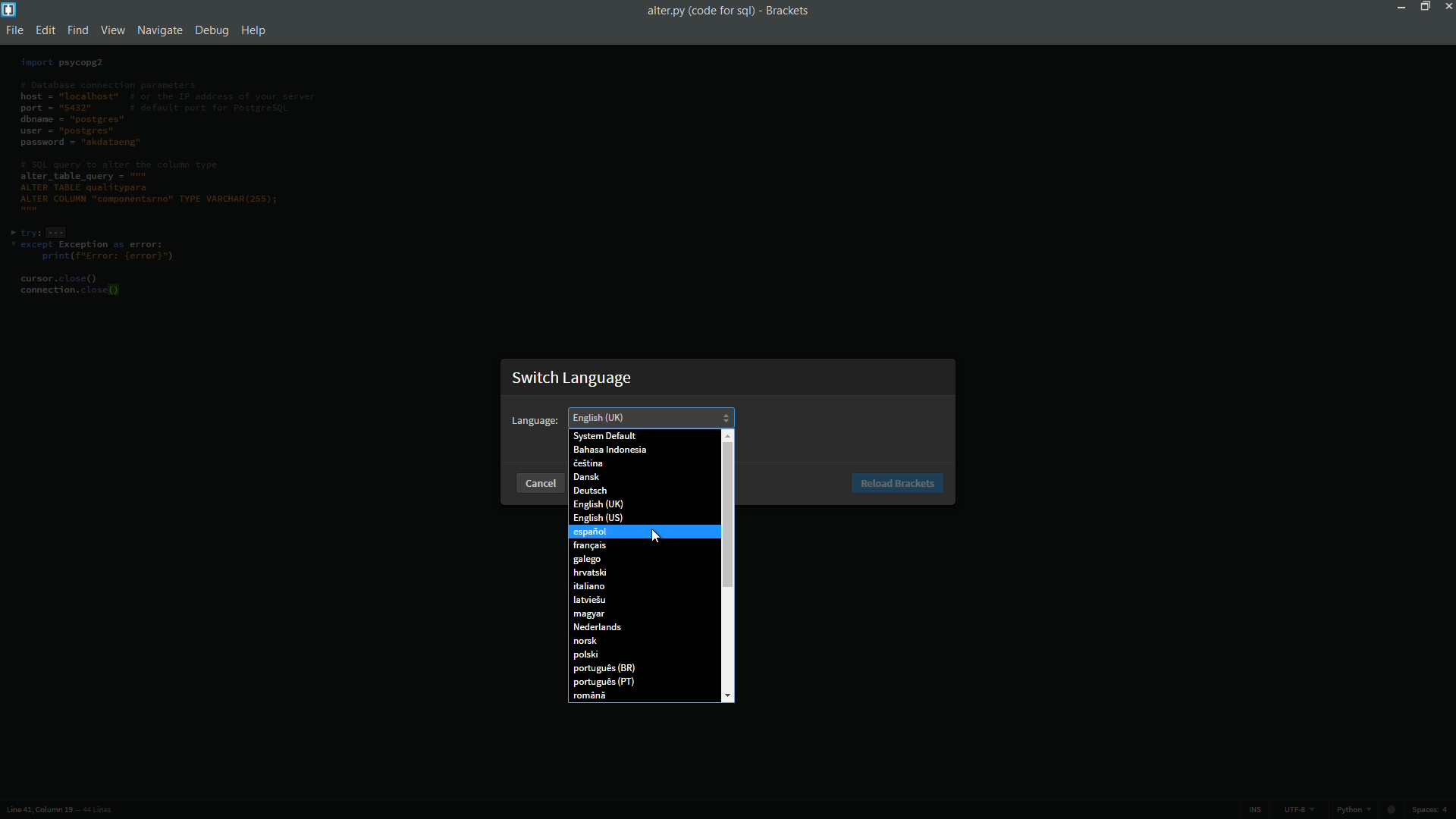 The width and height of the screenshot is (1456, 819). I want to click on System Default, so click(642, 436).